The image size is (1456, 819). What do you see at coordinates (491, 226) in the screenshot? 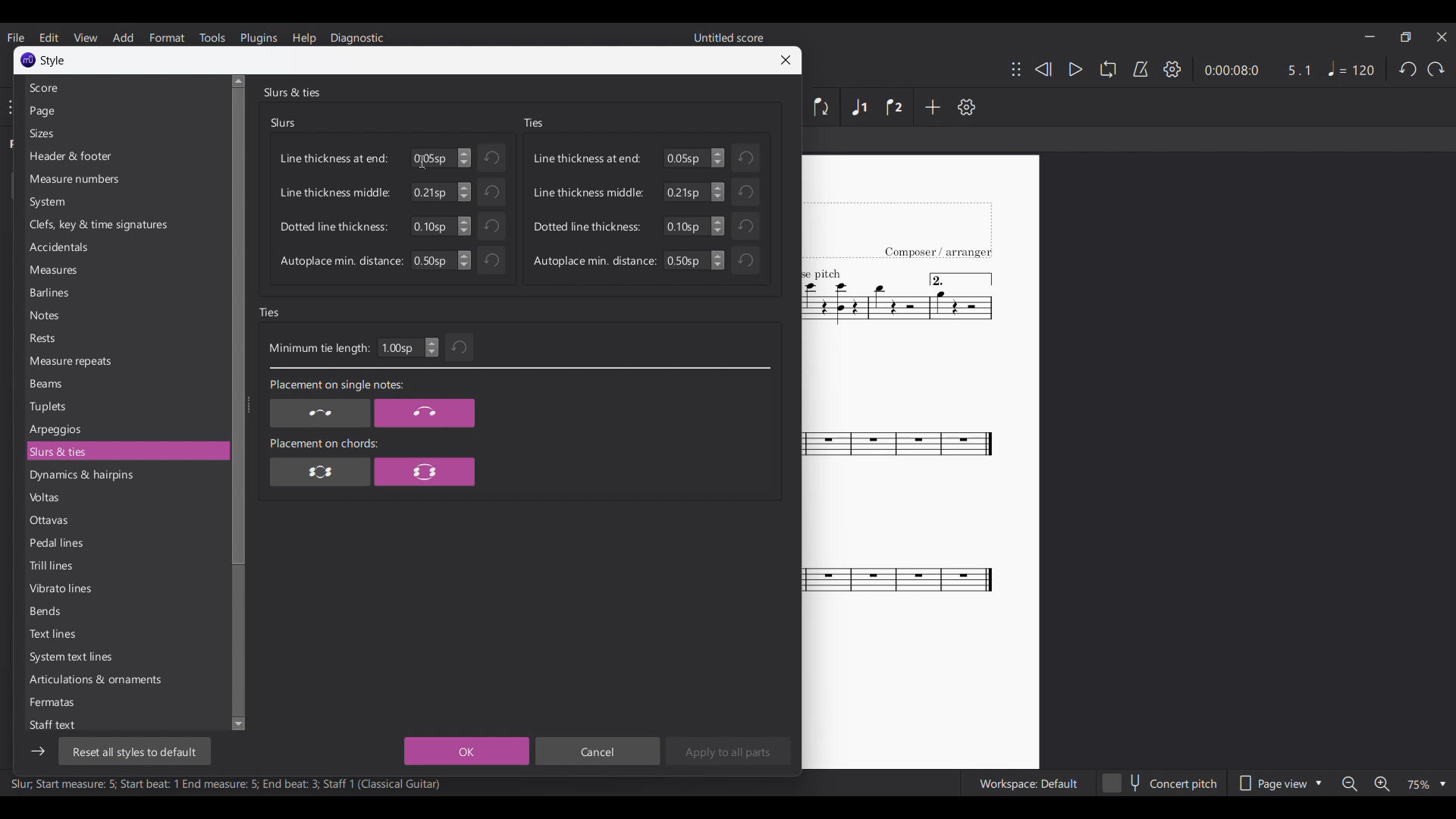
I see `Undo` at bounding box center [491, 226].